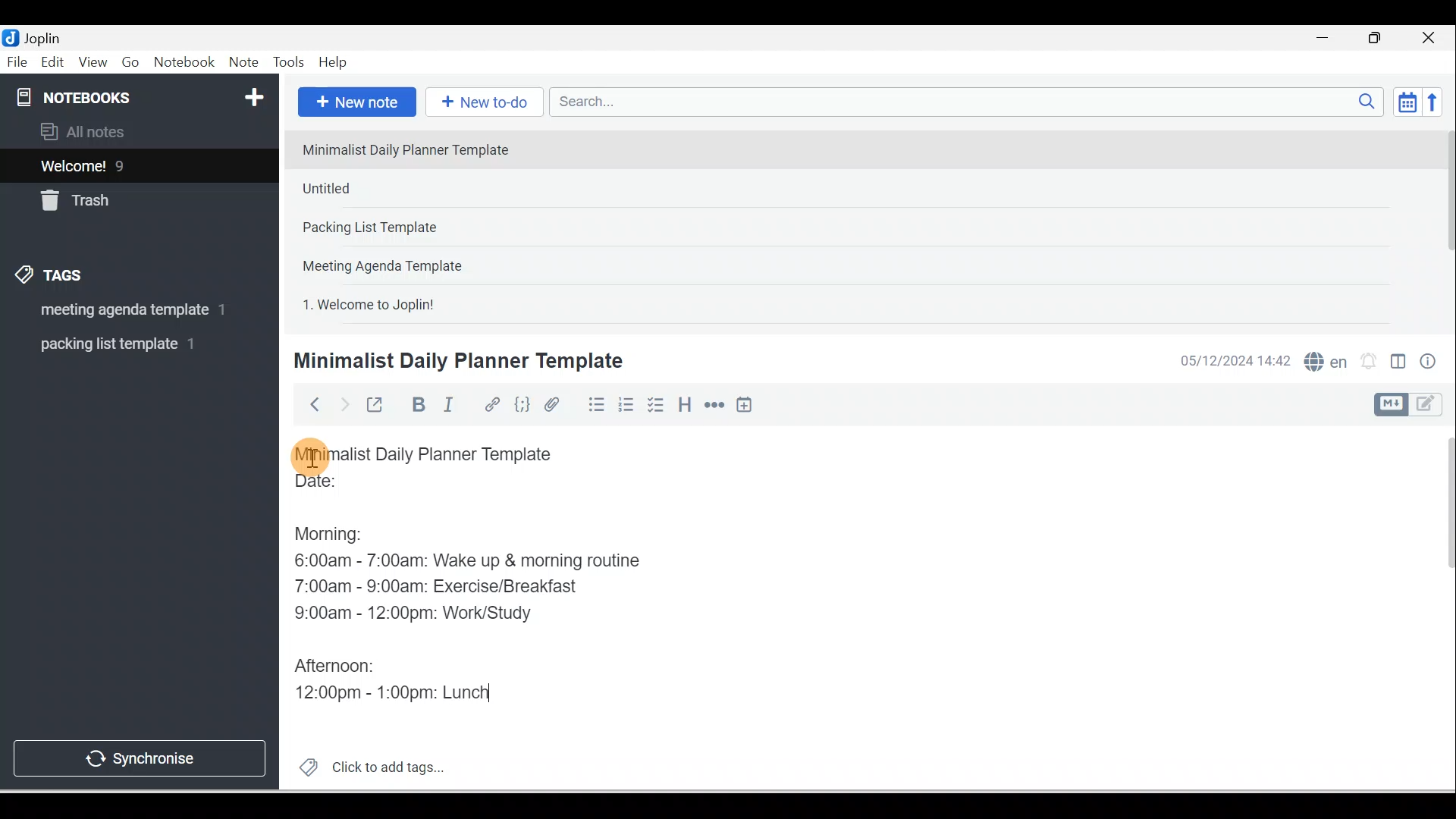  Describe the element at coordinates (18, 61) in the screenshot. I see `File` at that location.